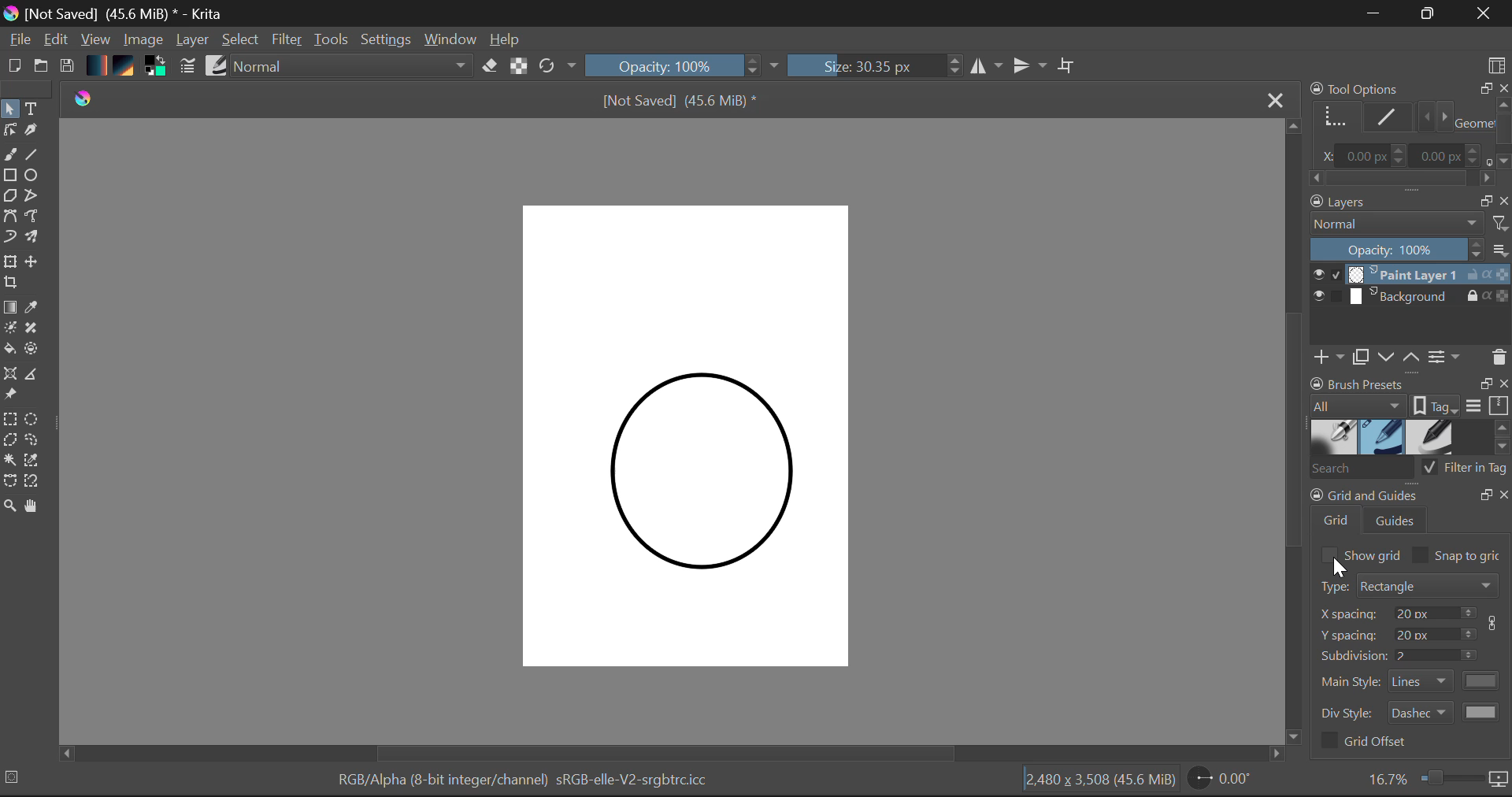 The height and width of the screenshot is (797, 1512). I want to click on Image, so click(143, 41).